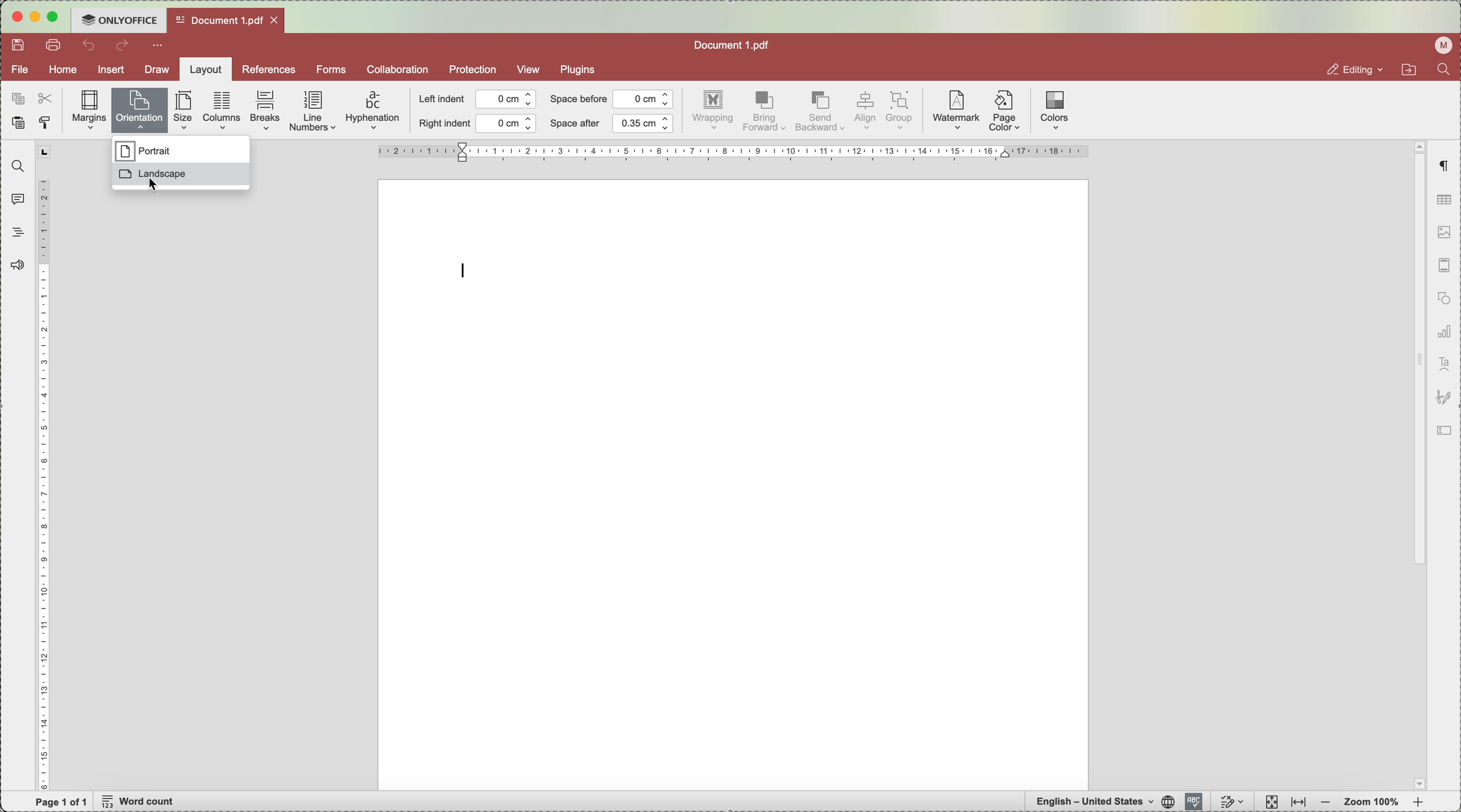 Image resolution: width=1461 pixels, height=812 pixels. What do you see at coordinates (1416, 783) in the screenshot?
I see `page dropdown` at bounding box center [1416, 783].